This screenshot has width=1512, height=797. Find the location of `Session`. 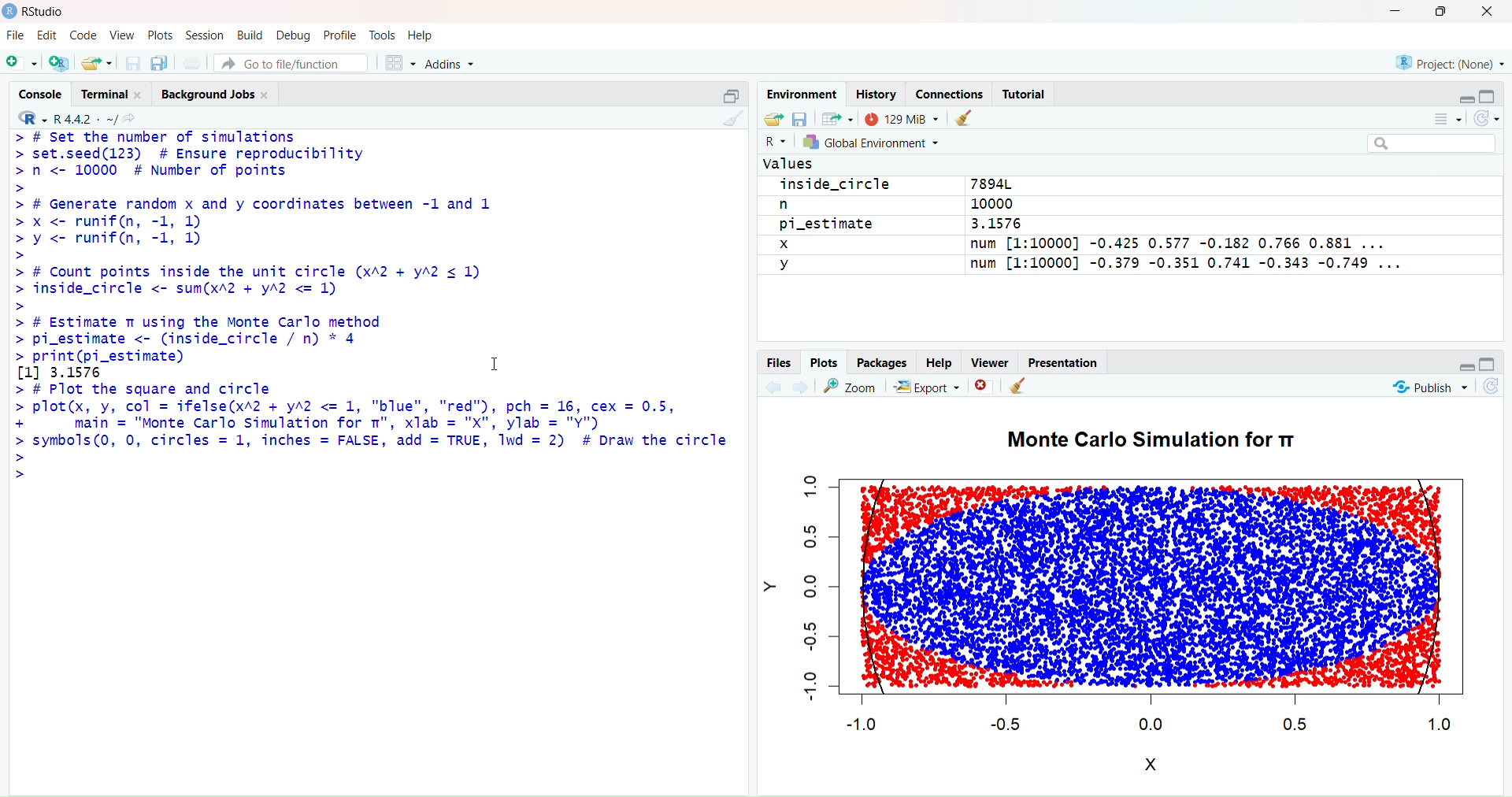

Session is located at coordinates (203, 34).